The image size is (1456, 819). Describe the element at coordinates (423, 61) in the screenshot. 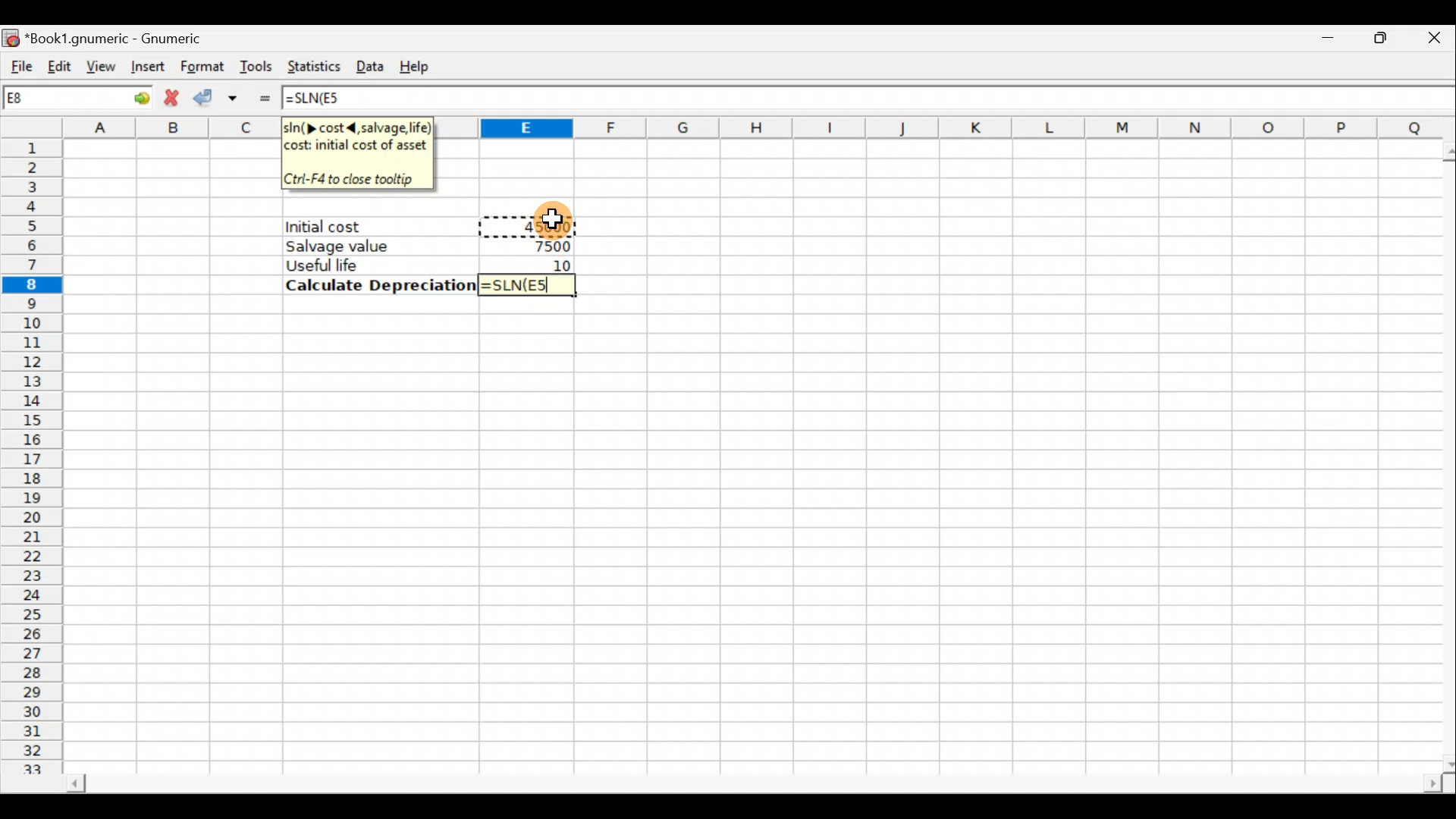

I see `Help` at that location.